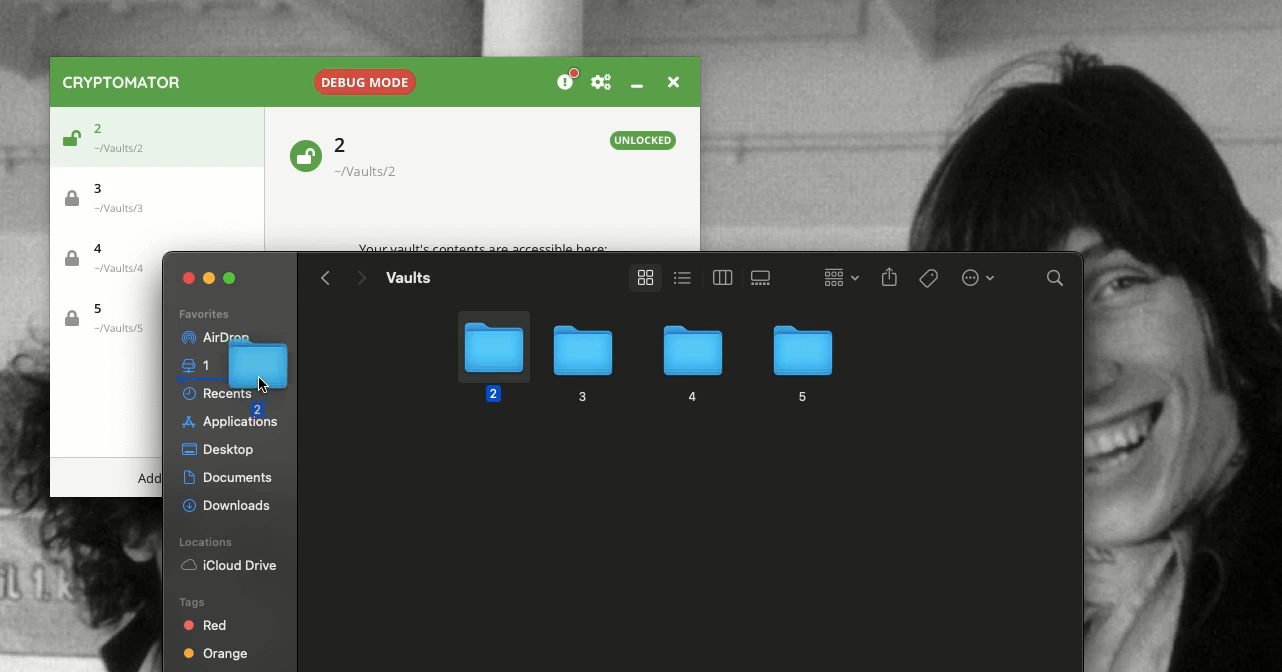 Image resolution: width=1282 pixels, height=672 pixels. I want to click on Maximize, so click(232, 278).